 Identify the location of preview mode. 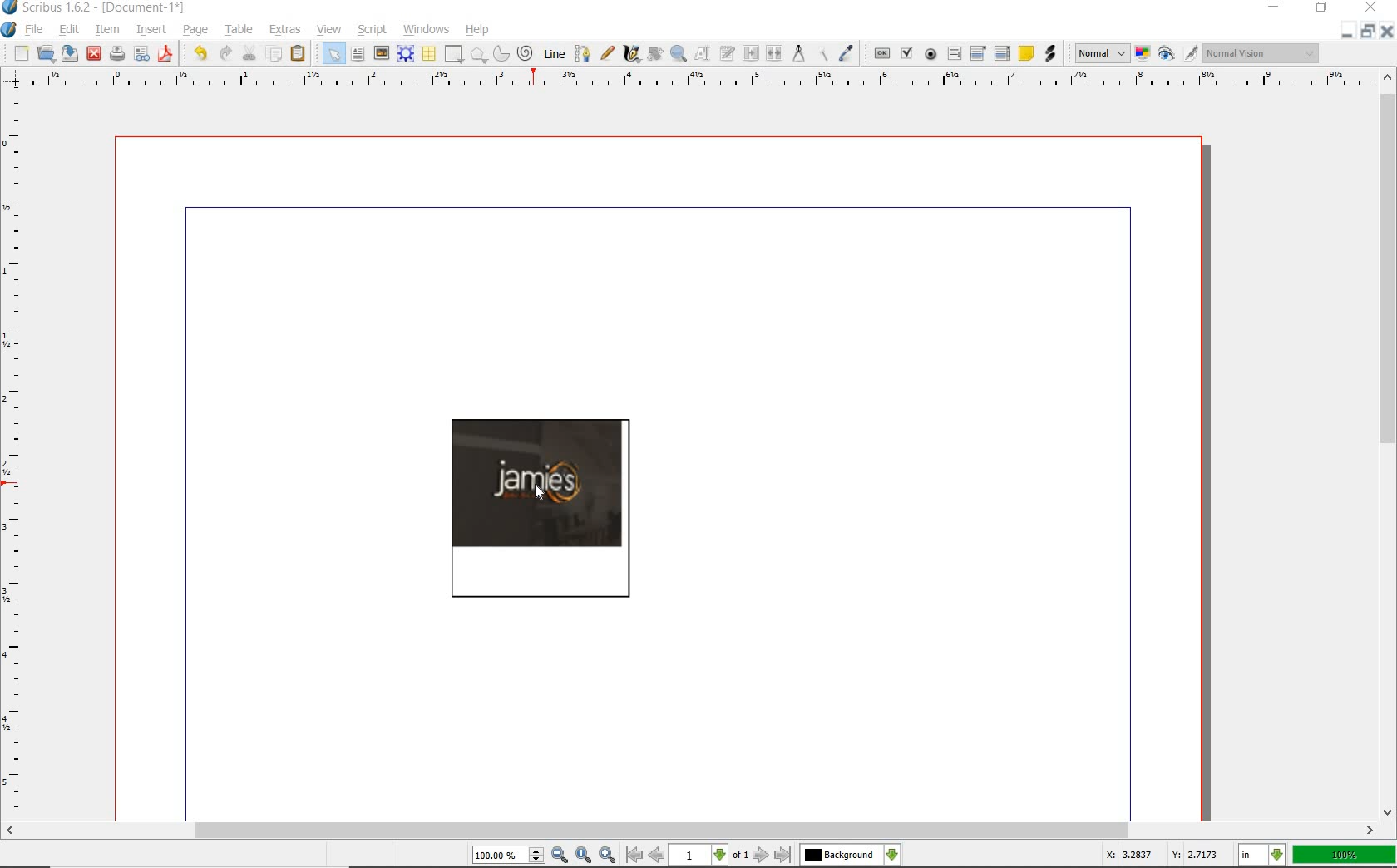
(1177, 54).